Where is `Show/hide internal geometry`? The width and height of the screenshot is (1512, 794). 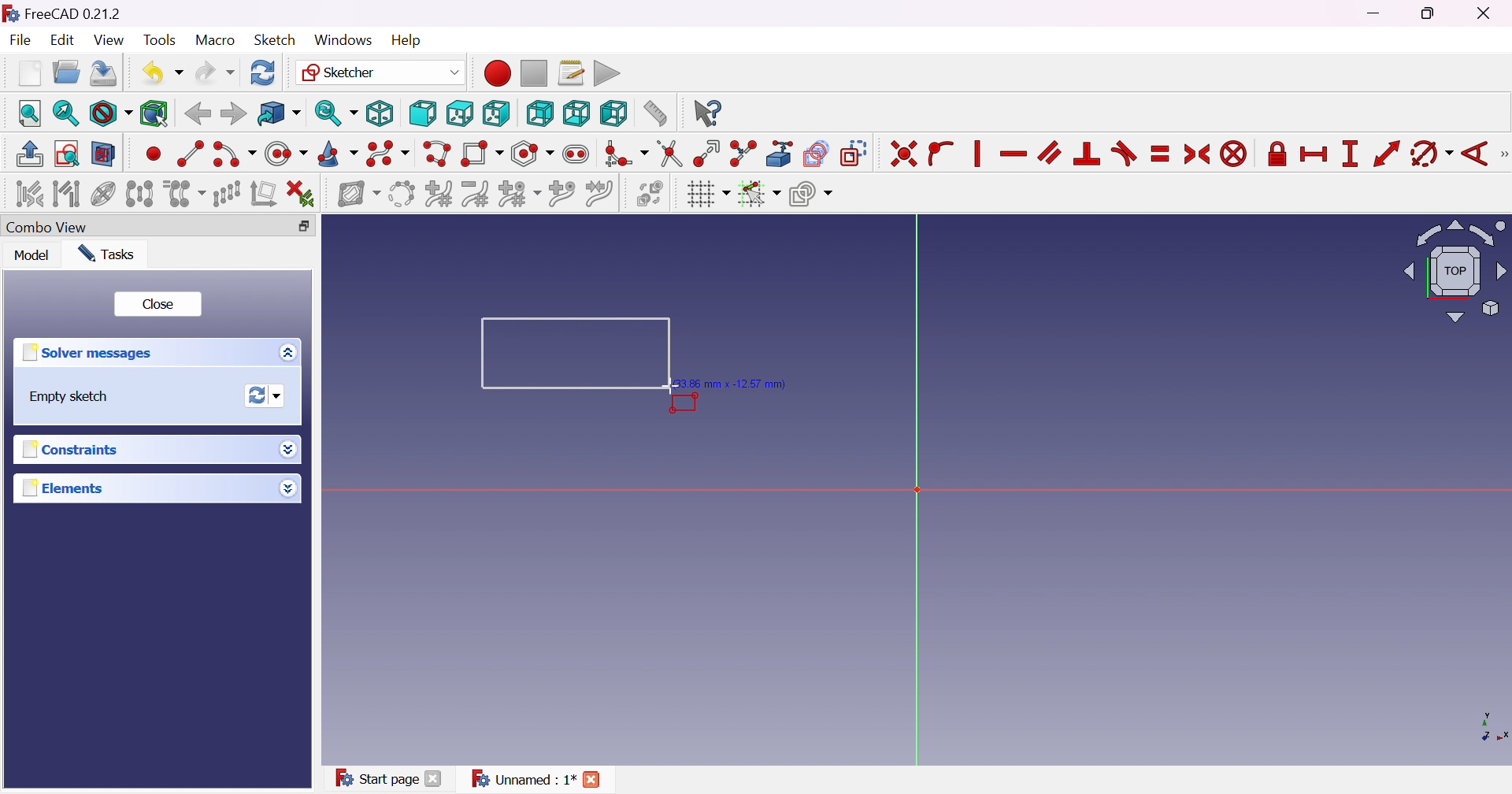
Show/hide internal geometry is located at coordinates (105, 194).